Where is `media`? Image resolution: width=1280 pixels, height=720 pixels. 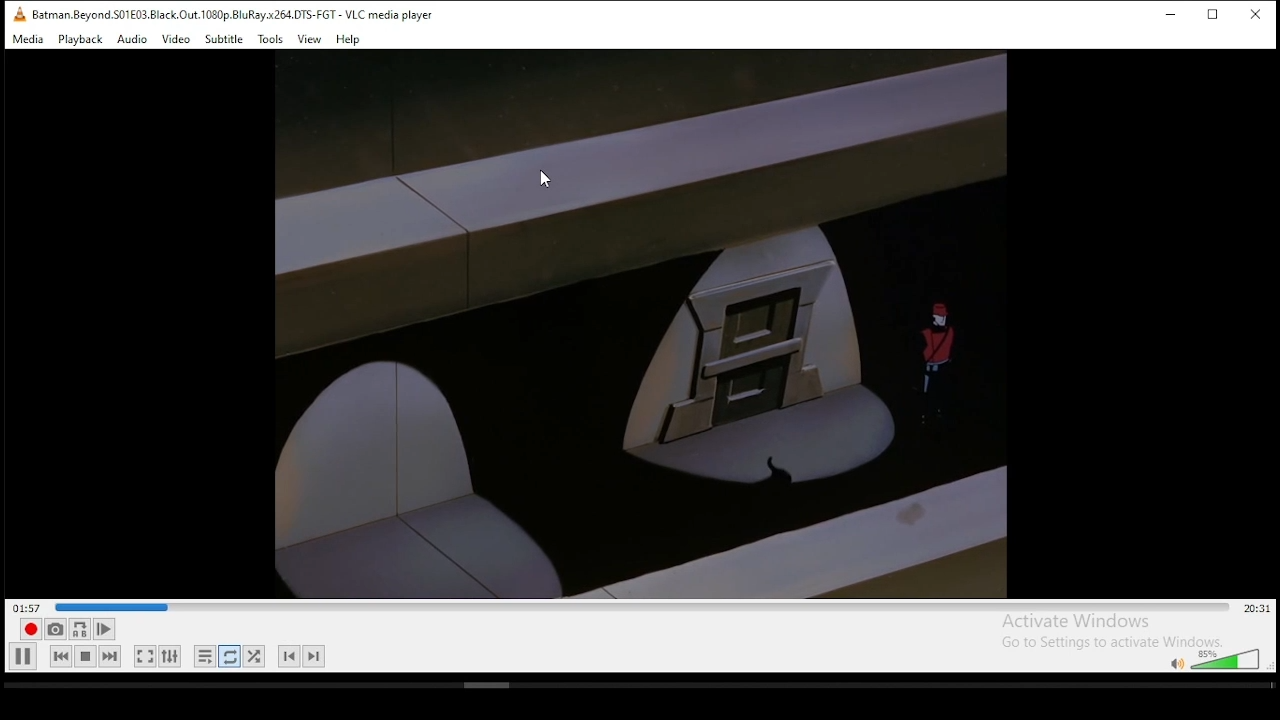 media is located at coordinates (28, 39).